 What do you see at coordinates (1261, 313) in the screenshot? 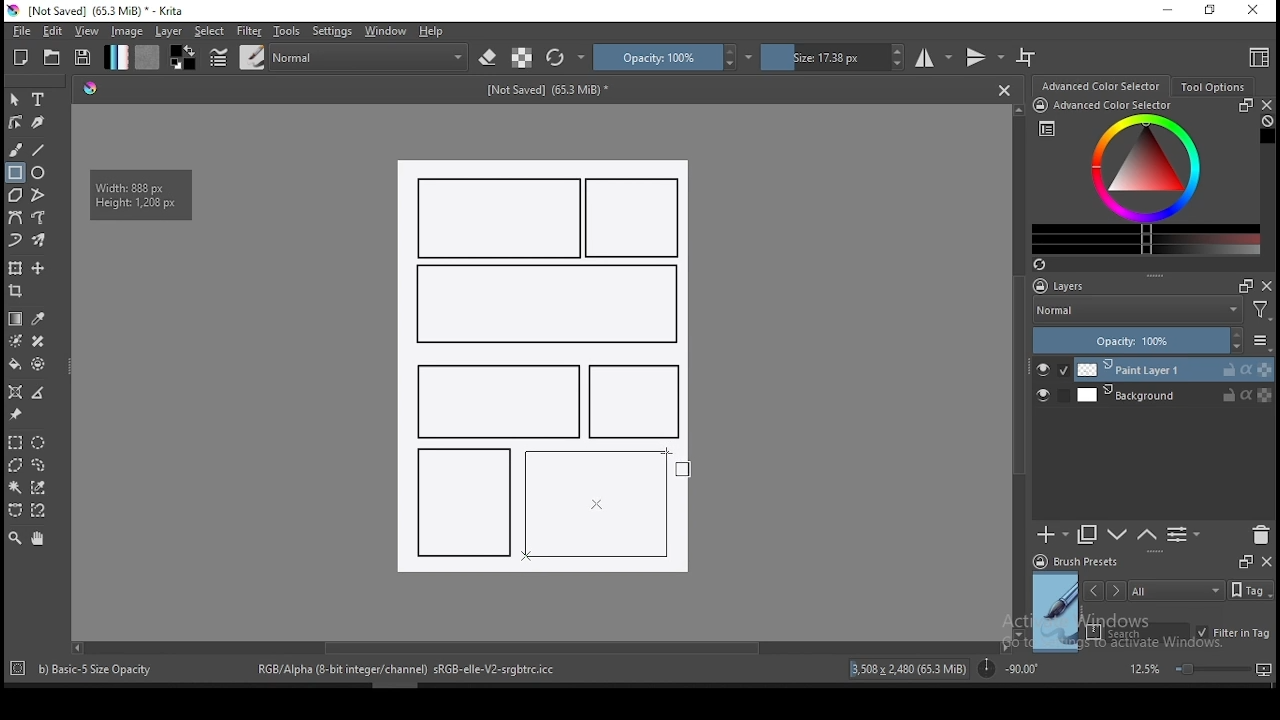
I see `Filter` at bounding box center [1261, 313].